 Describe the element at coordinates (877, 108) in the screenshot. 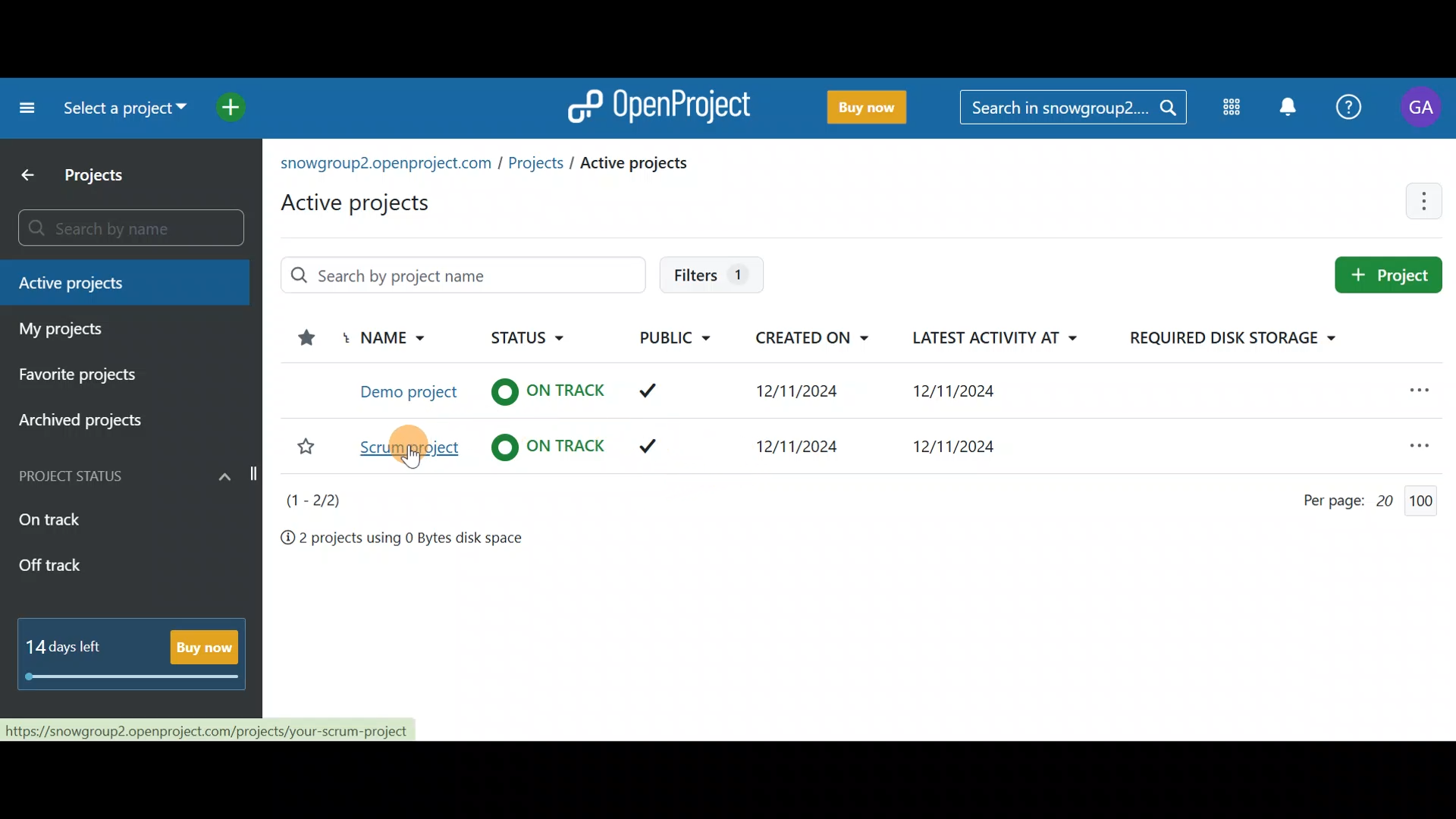

I see `Buy now` at that location.